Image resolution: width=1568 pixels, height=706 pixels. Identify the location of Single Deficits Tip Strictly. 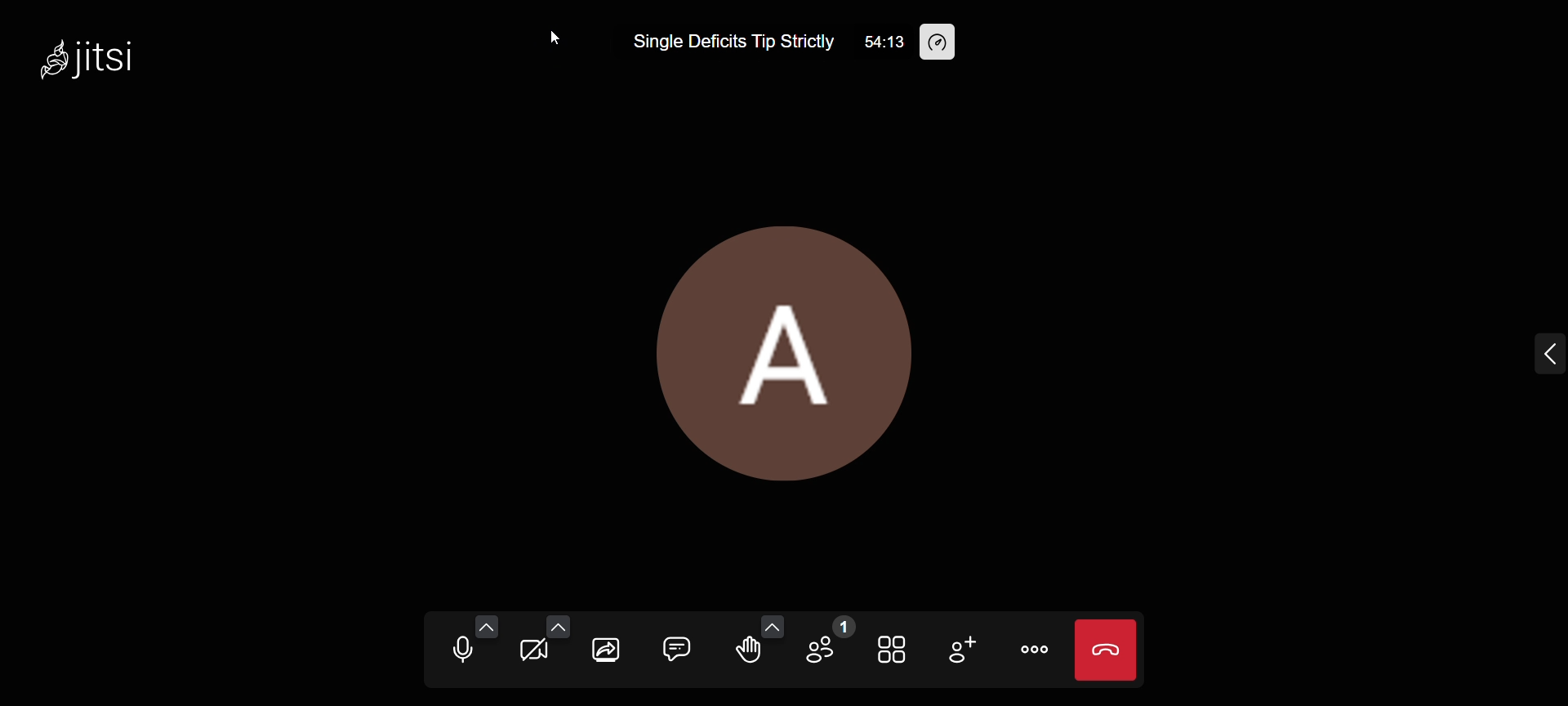
(734, 42).